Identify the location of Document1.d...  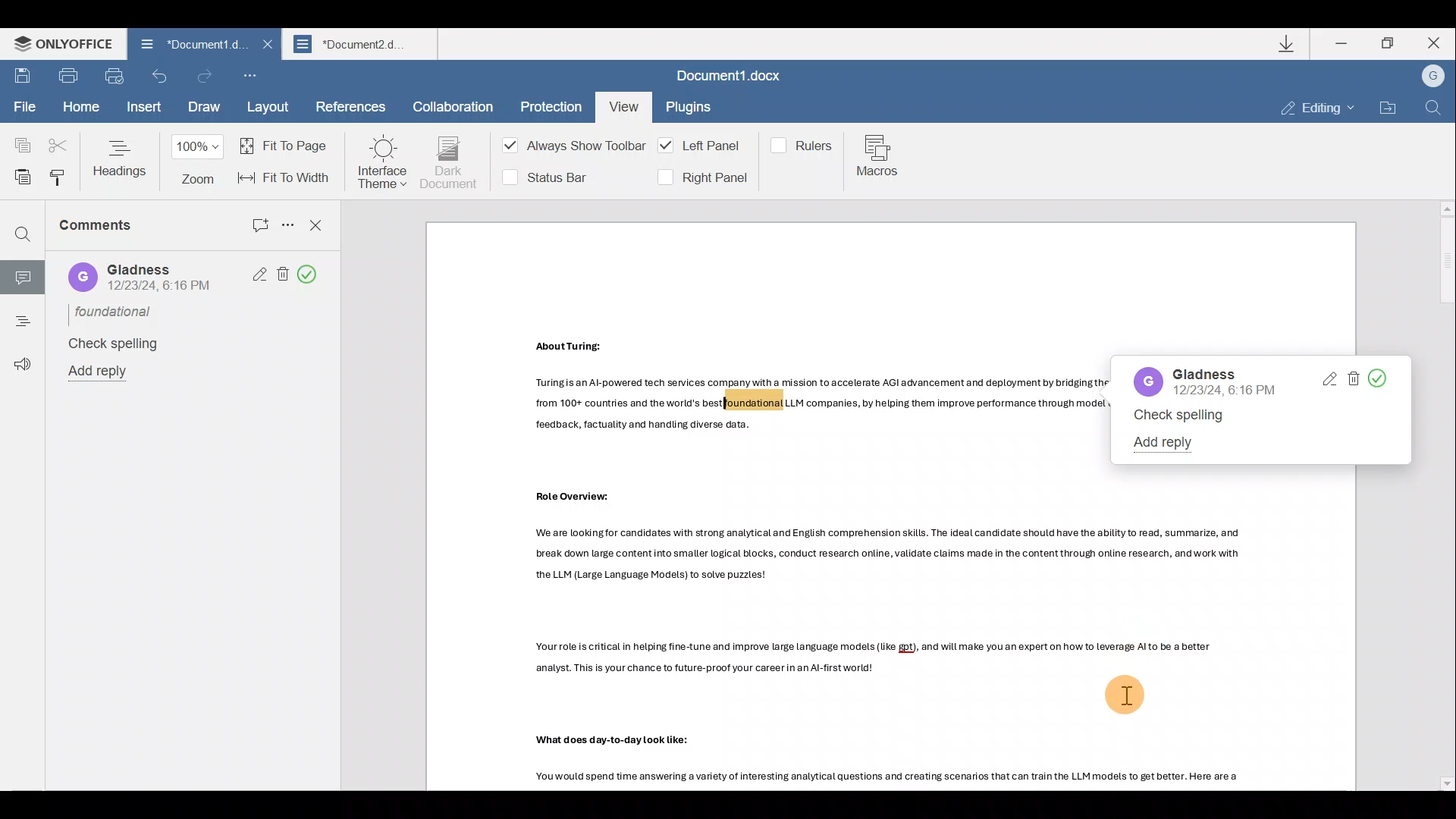
(183, 46).